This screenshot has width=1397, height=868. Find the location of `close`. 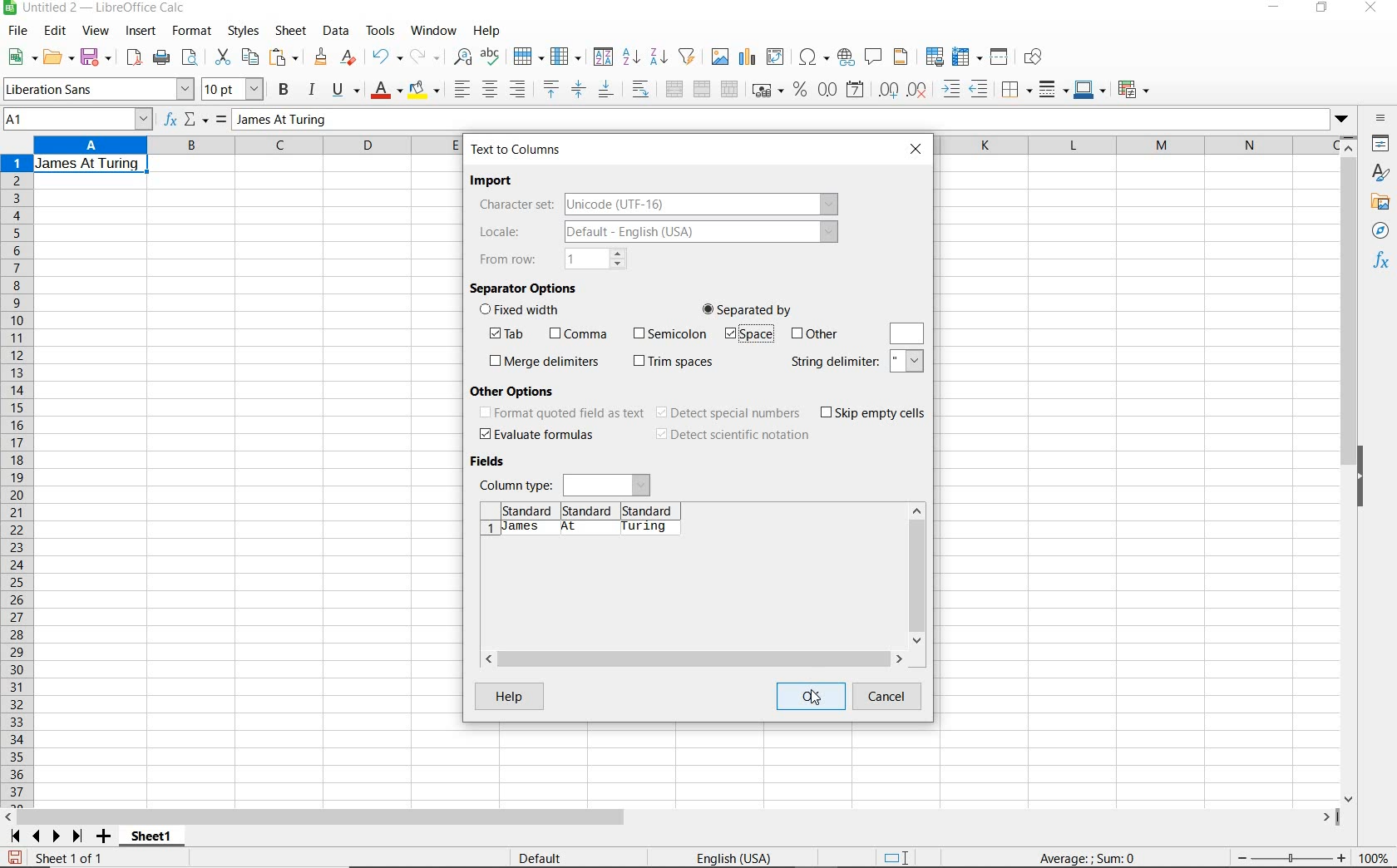

close is located at coordinates (1374, 8).